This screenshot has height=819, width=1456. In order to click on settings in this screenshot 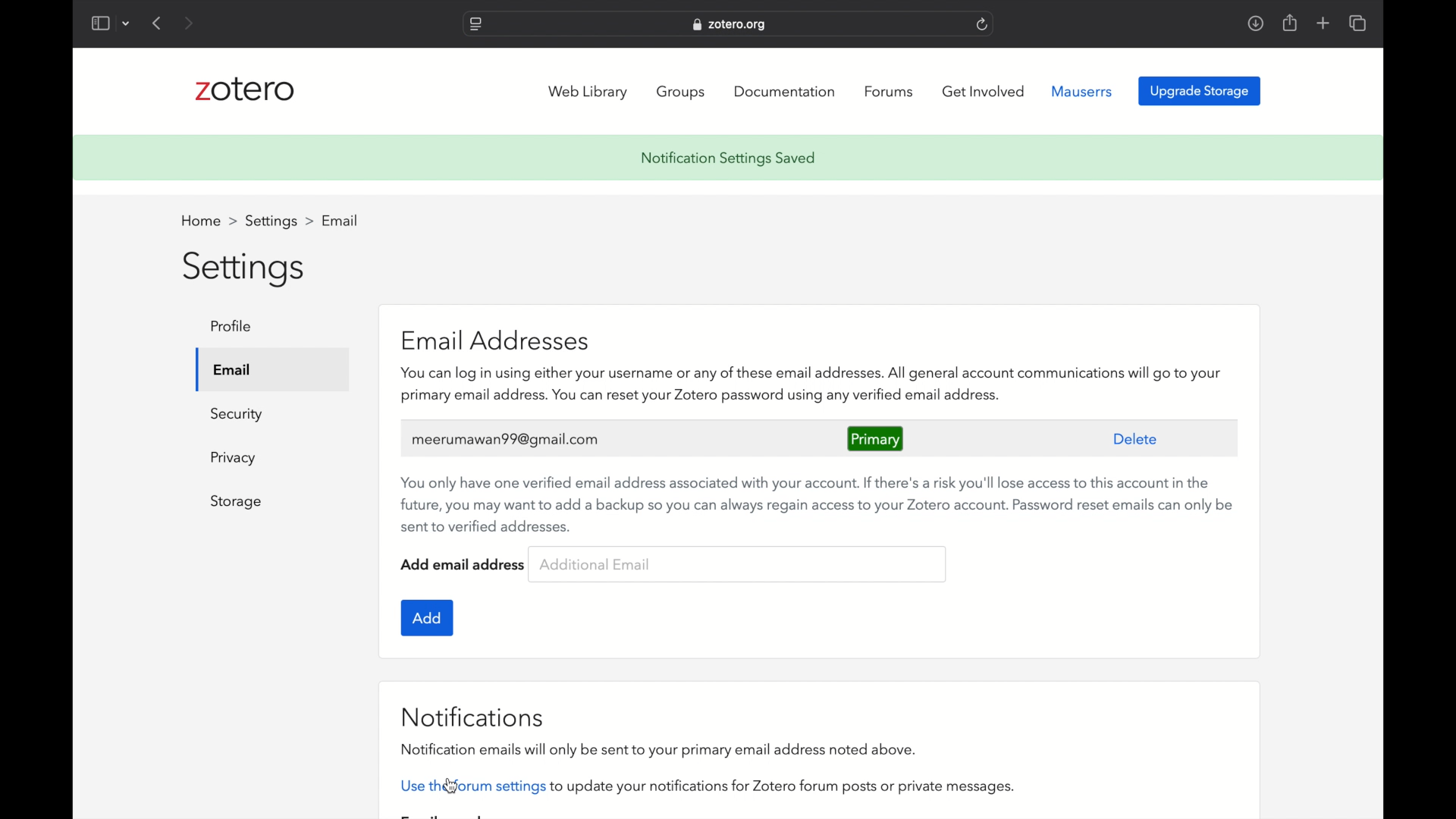, I will do `click(244, 268)`.